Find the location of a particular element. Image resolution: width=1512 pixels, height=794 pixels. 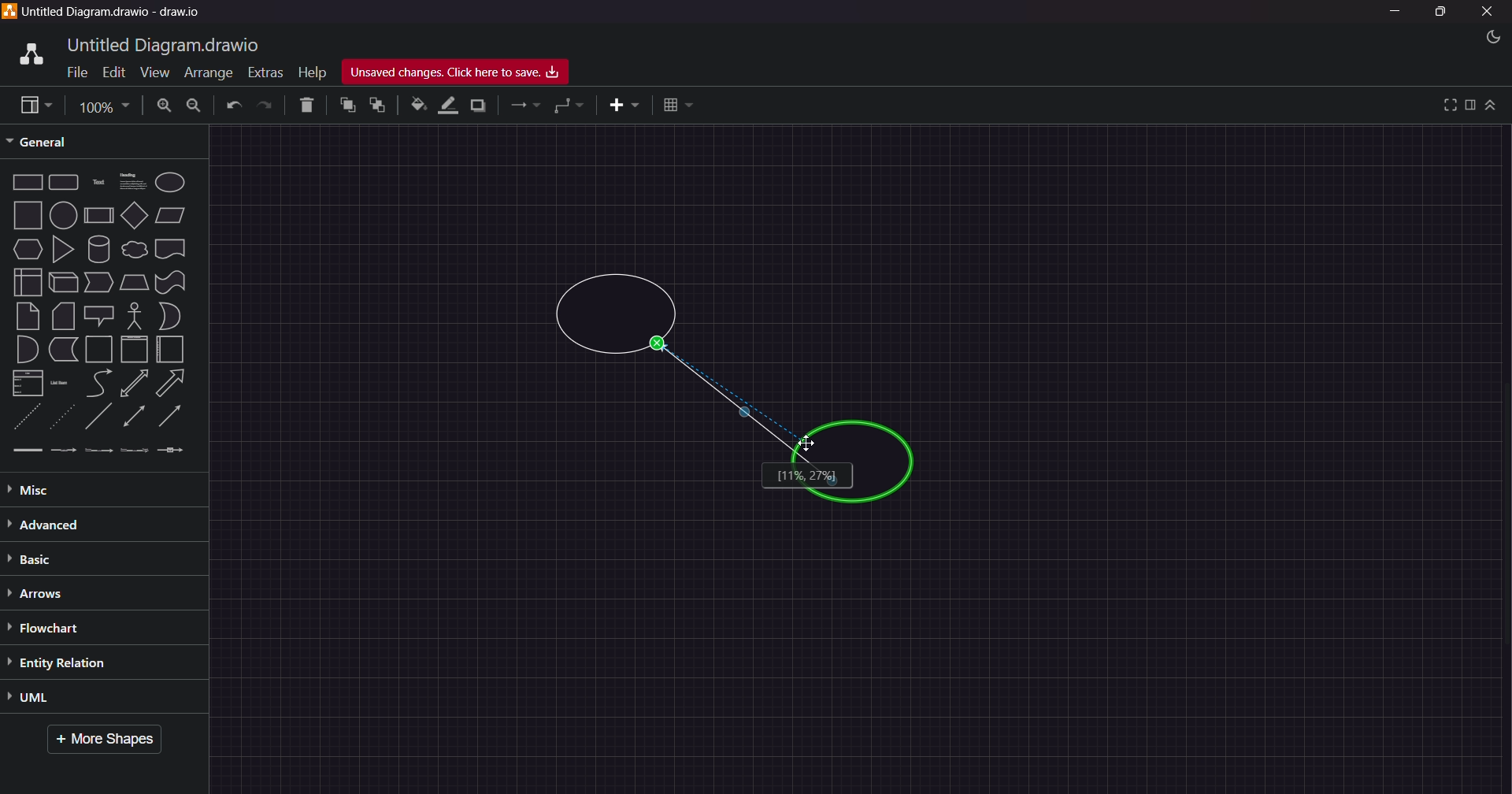

format is located at coordinates (1470, 105).